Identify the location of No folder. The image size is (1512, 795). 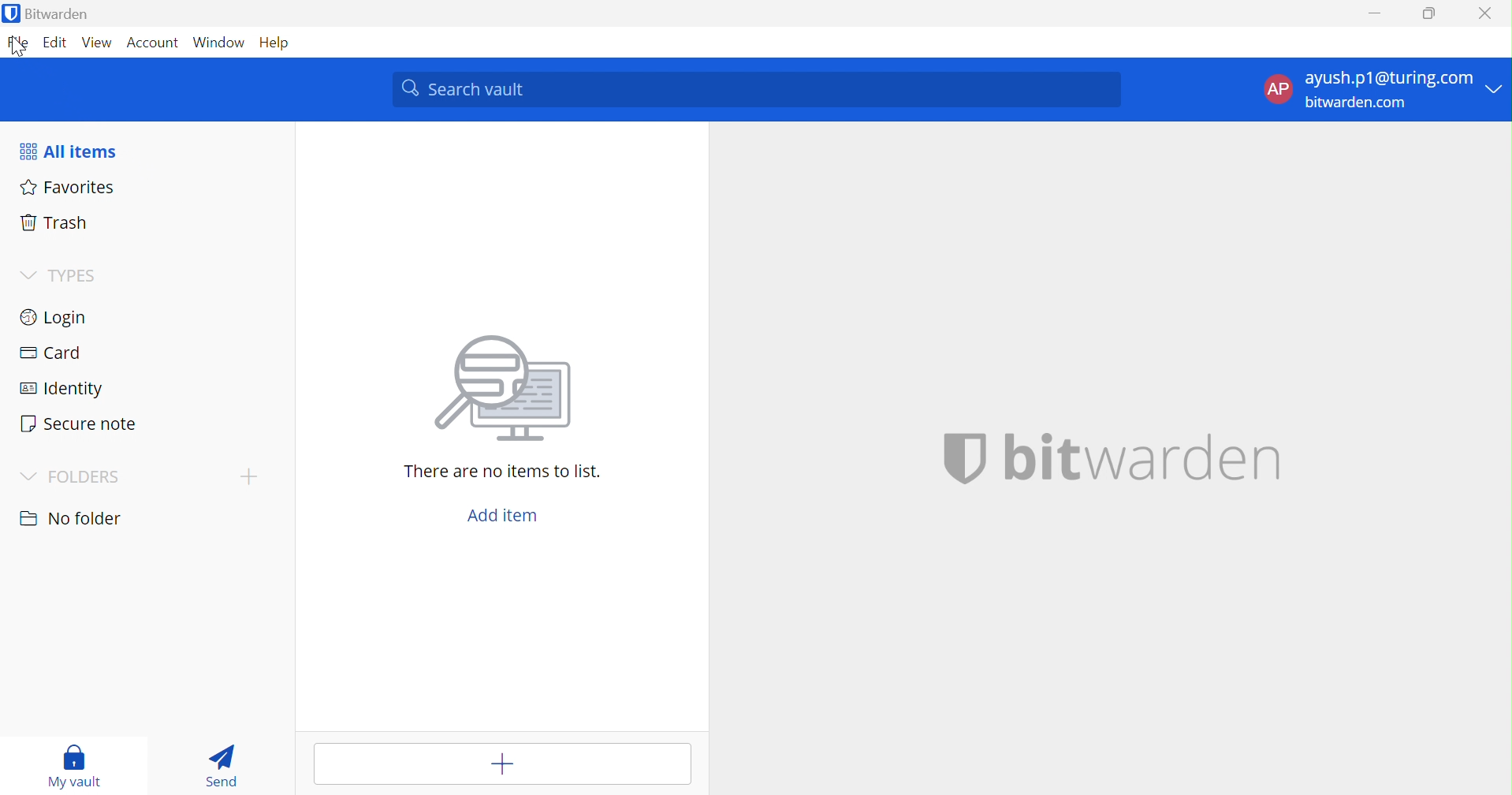
(74, 518).